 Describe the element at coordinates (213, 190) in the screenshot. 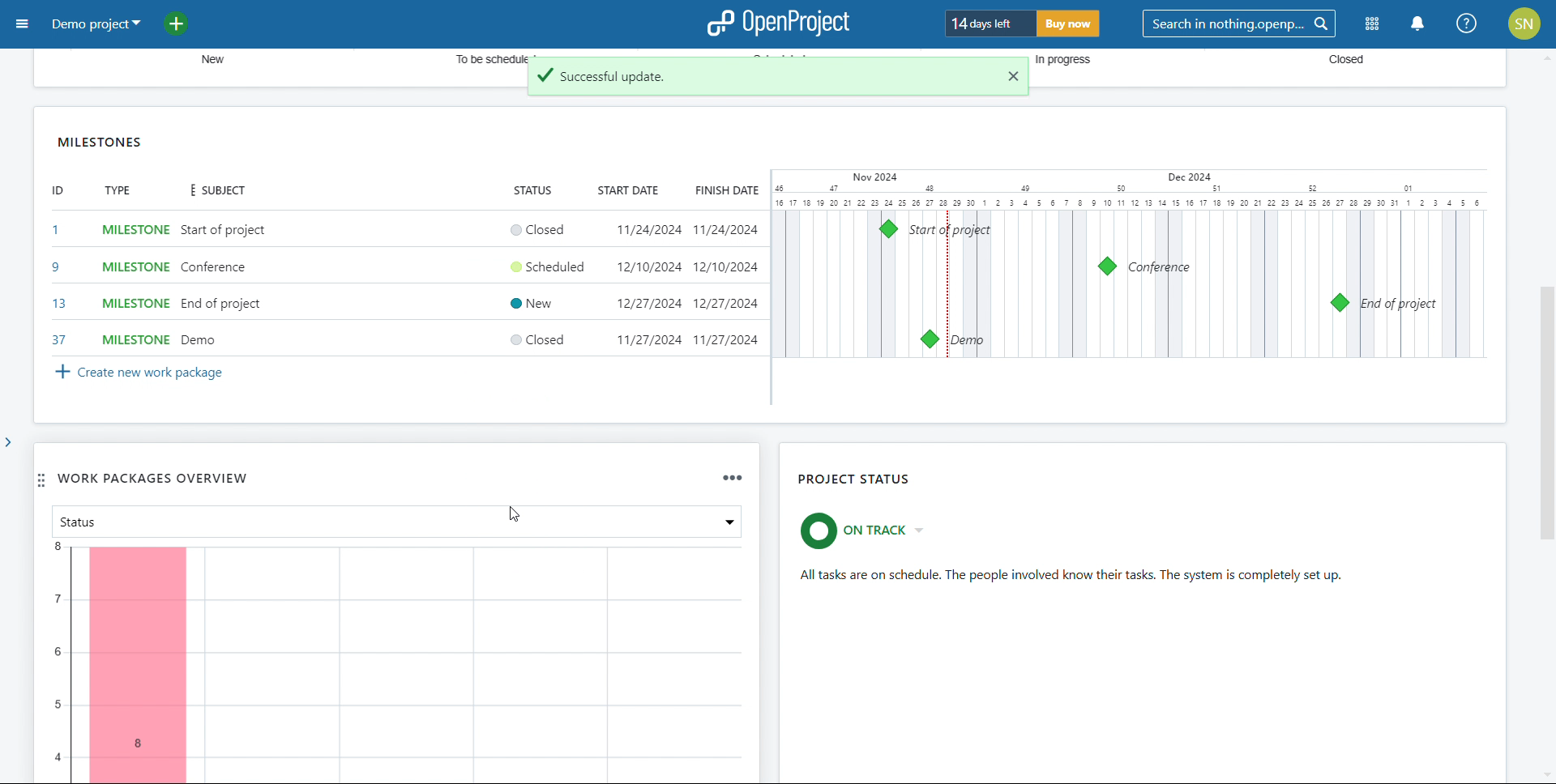

I see `subject` at that location.